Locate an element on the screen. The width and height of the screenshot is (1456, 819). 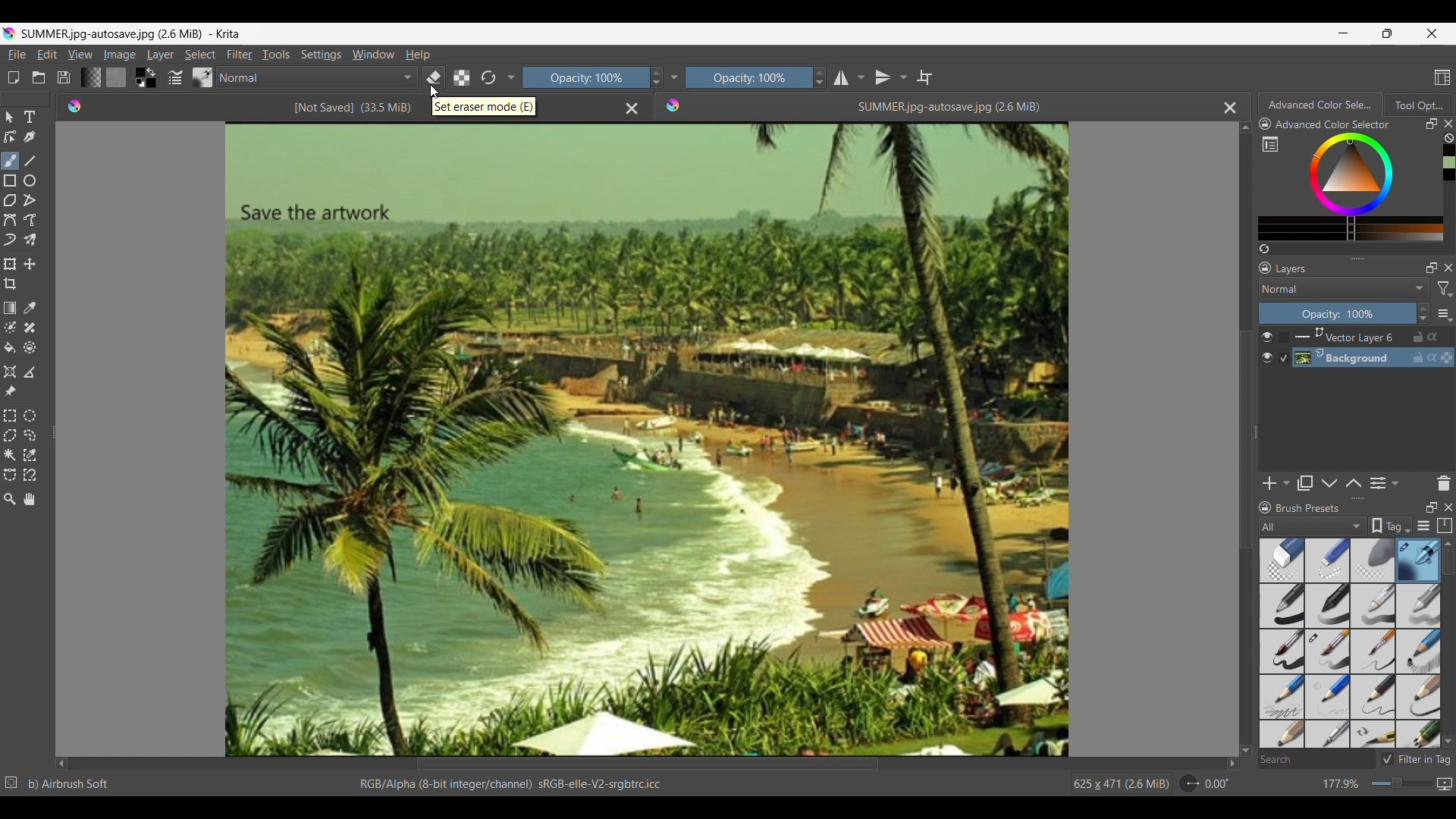
Save is located at coordinates (64, 77).